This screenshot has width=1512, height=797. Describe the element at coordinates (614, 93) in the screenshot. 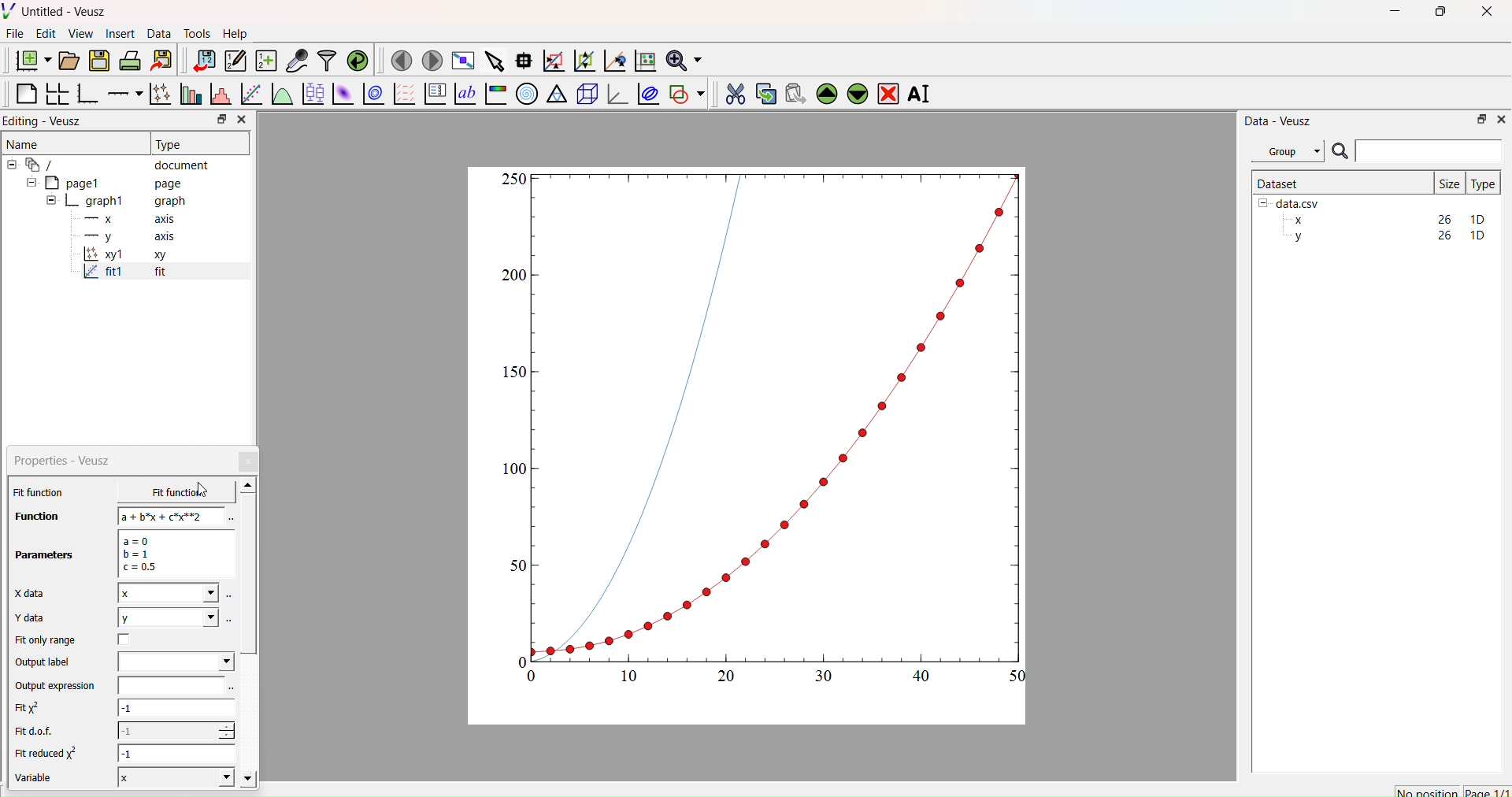

I see `3d Graph` at that location.